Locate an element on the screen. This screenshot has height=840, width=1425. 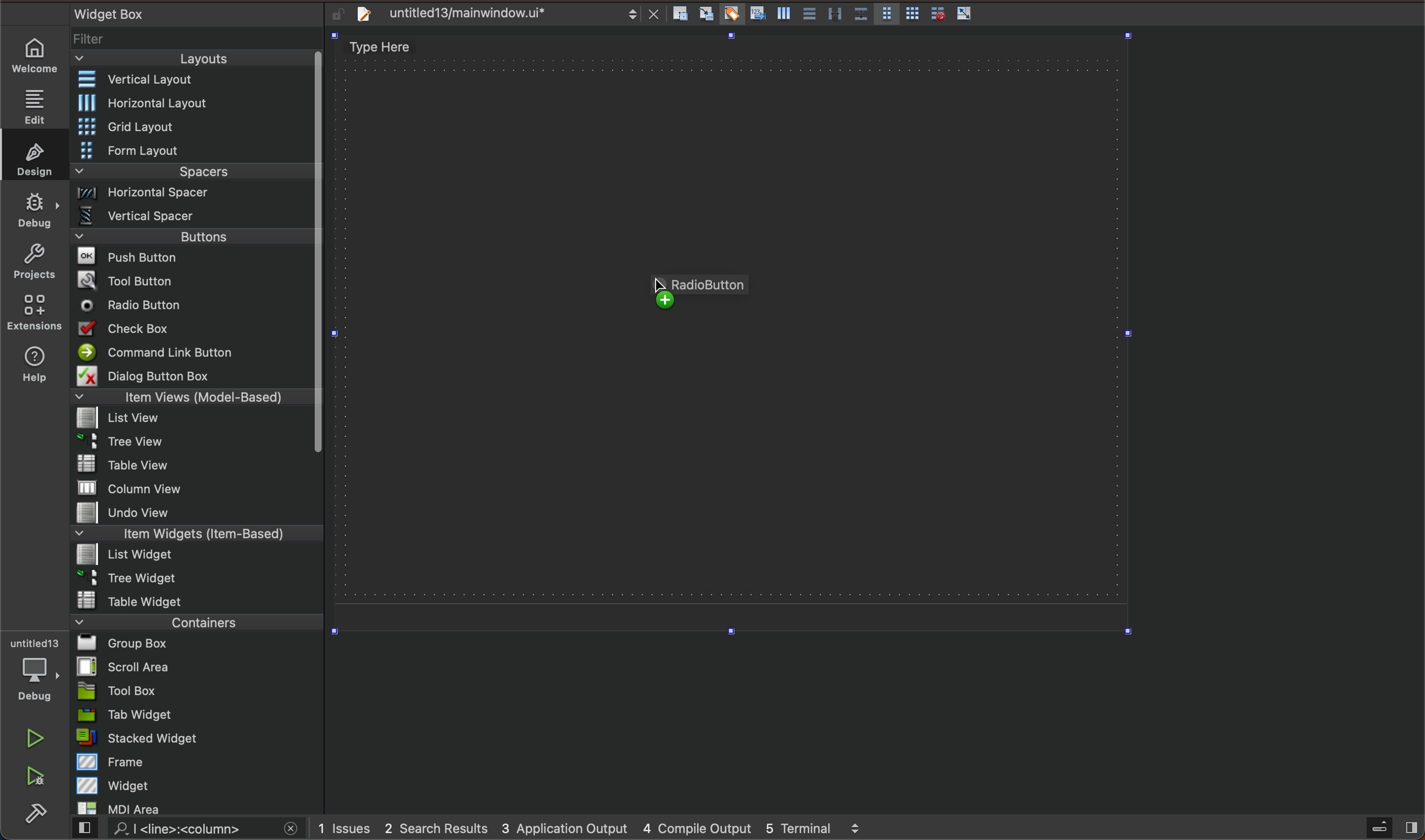
layouts is located at coordinates (192, 62).